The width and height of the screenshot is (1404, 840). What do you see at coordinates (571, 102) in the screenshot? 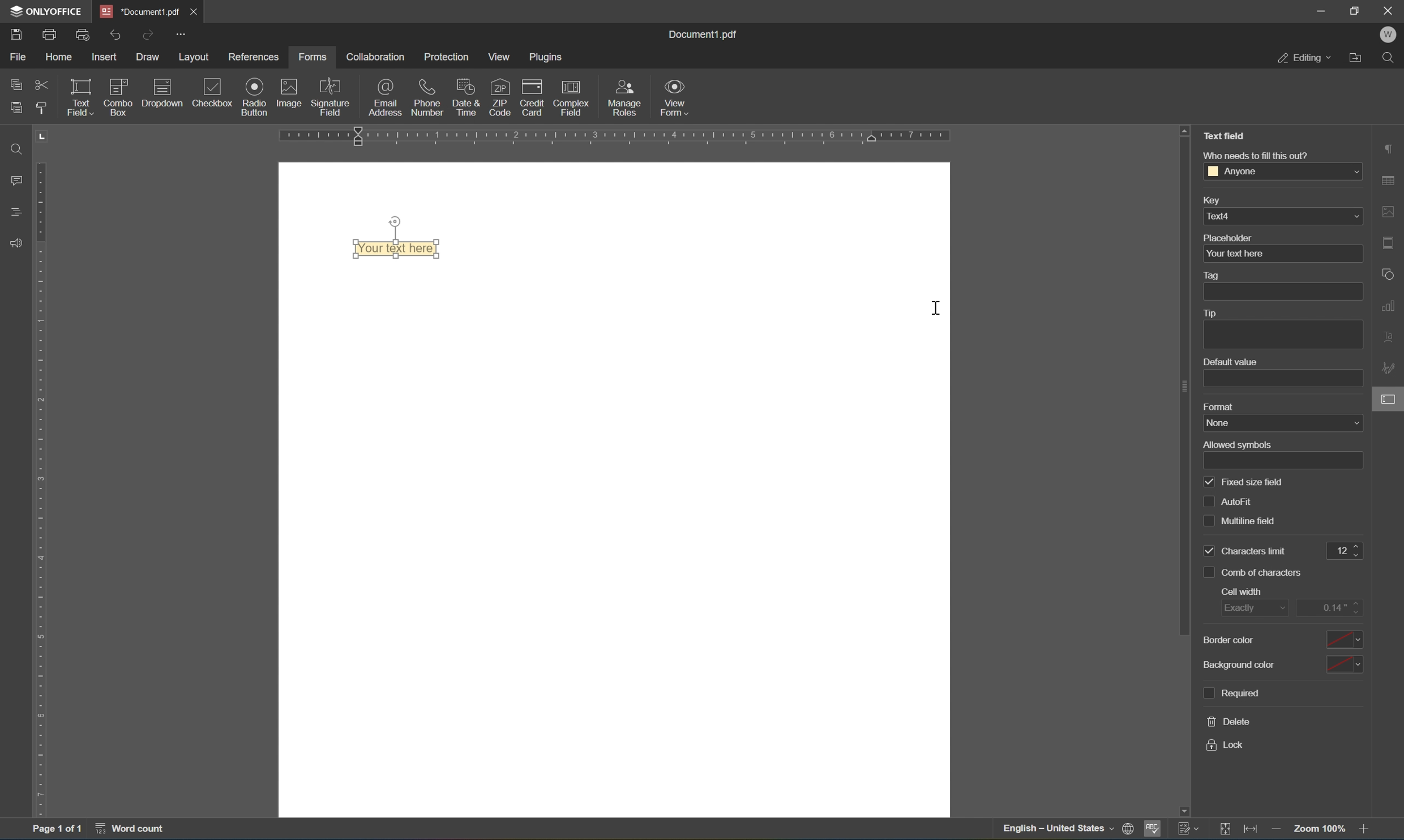
I see `complex field` at bounding box center [571, 102].